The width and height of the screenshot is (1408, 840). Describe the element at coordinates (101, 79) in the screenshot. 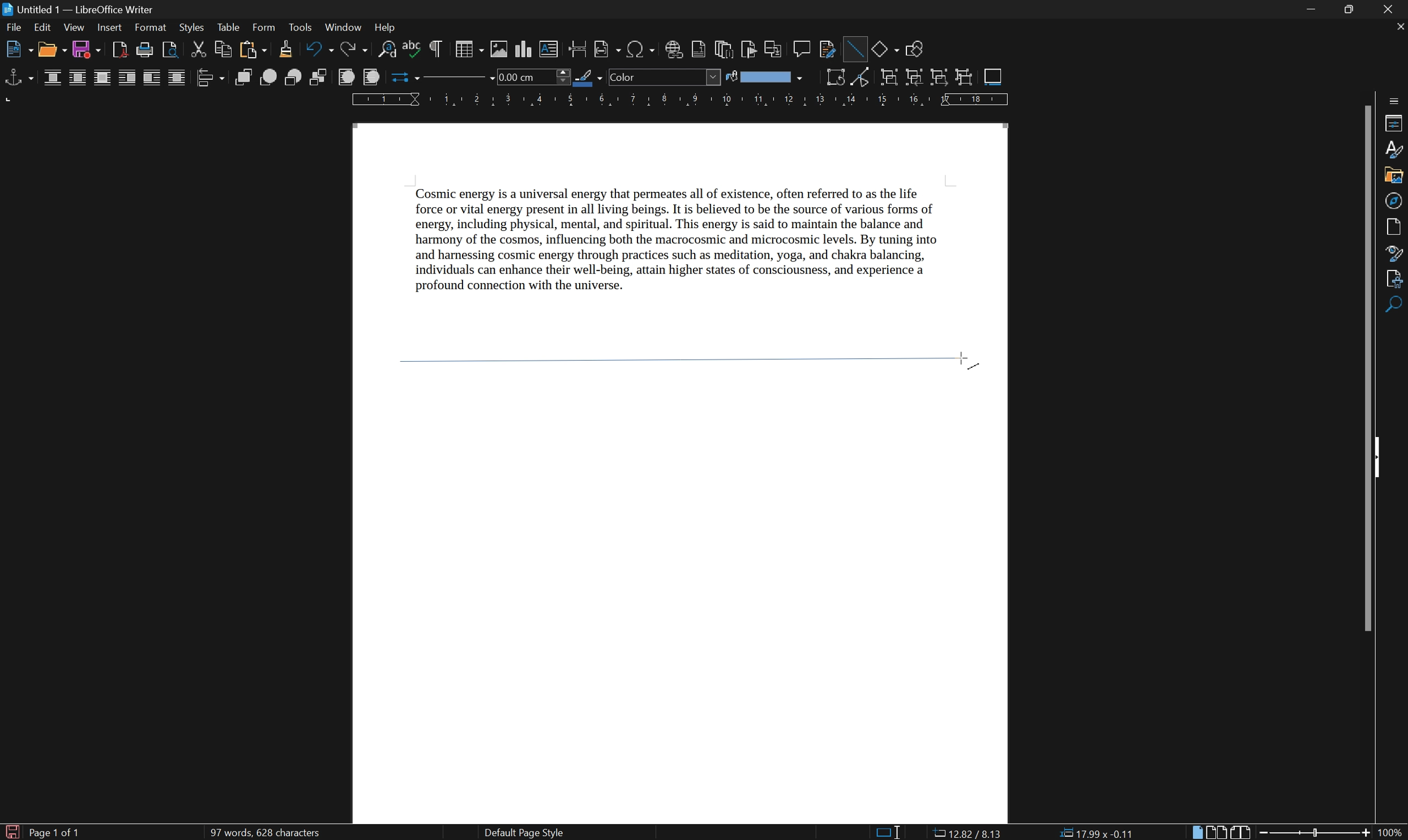

I see `optimal` at that location.